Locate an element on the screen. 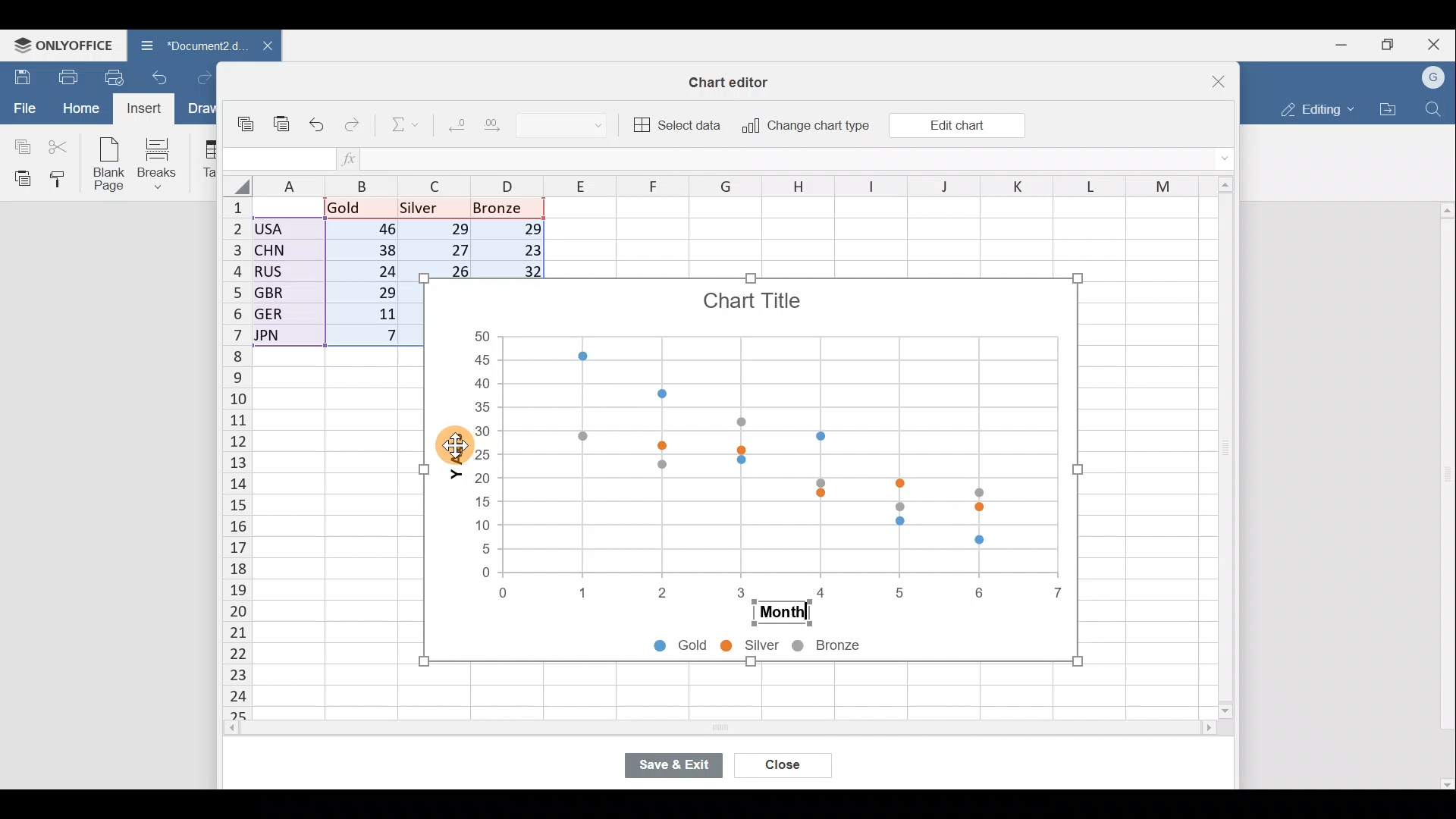  Cursor on Insert is located at coordinates (144, 109).